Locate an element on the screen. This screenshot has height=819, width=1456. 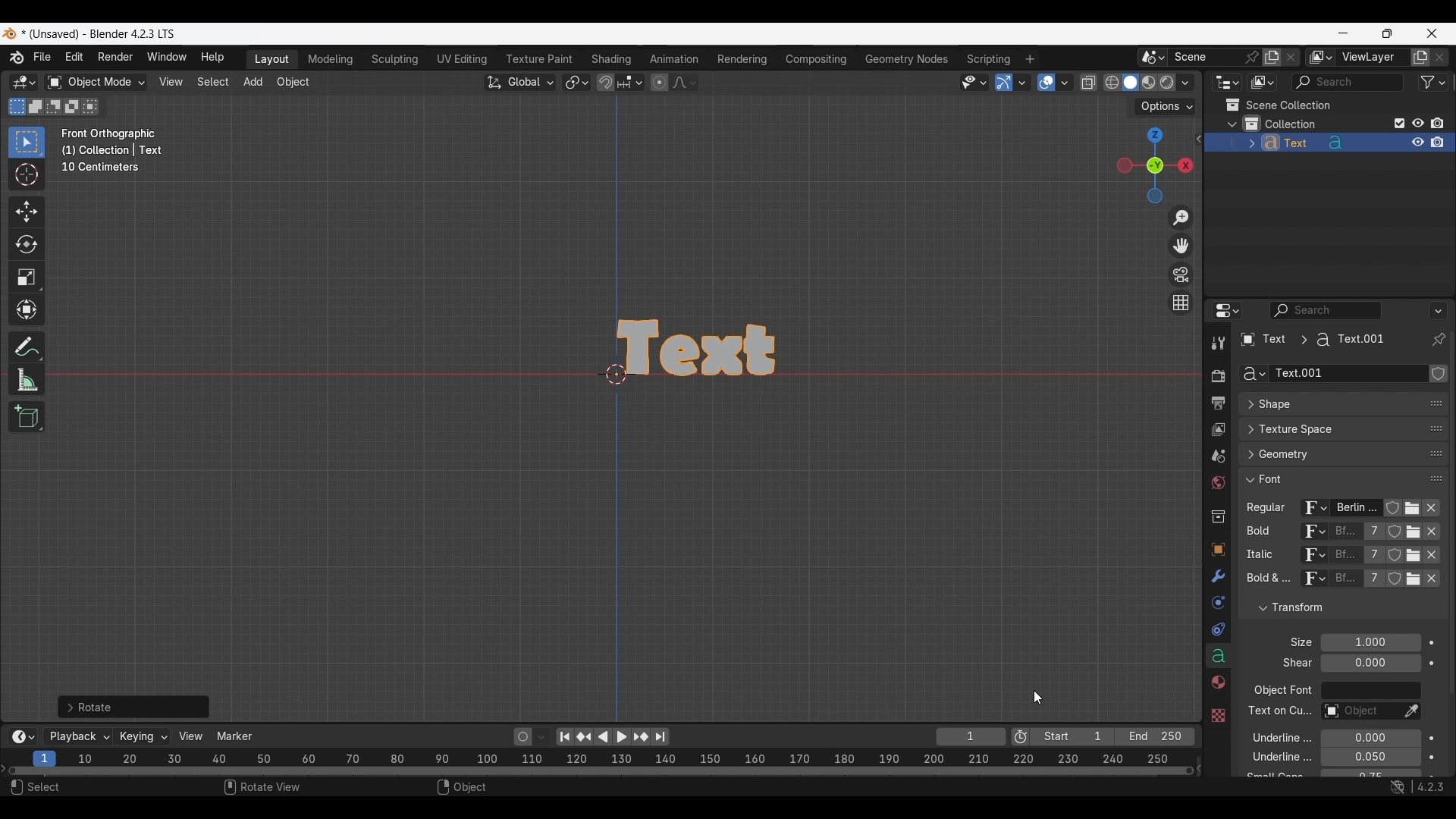
Modifiers is located at coordinates (1216, 577).